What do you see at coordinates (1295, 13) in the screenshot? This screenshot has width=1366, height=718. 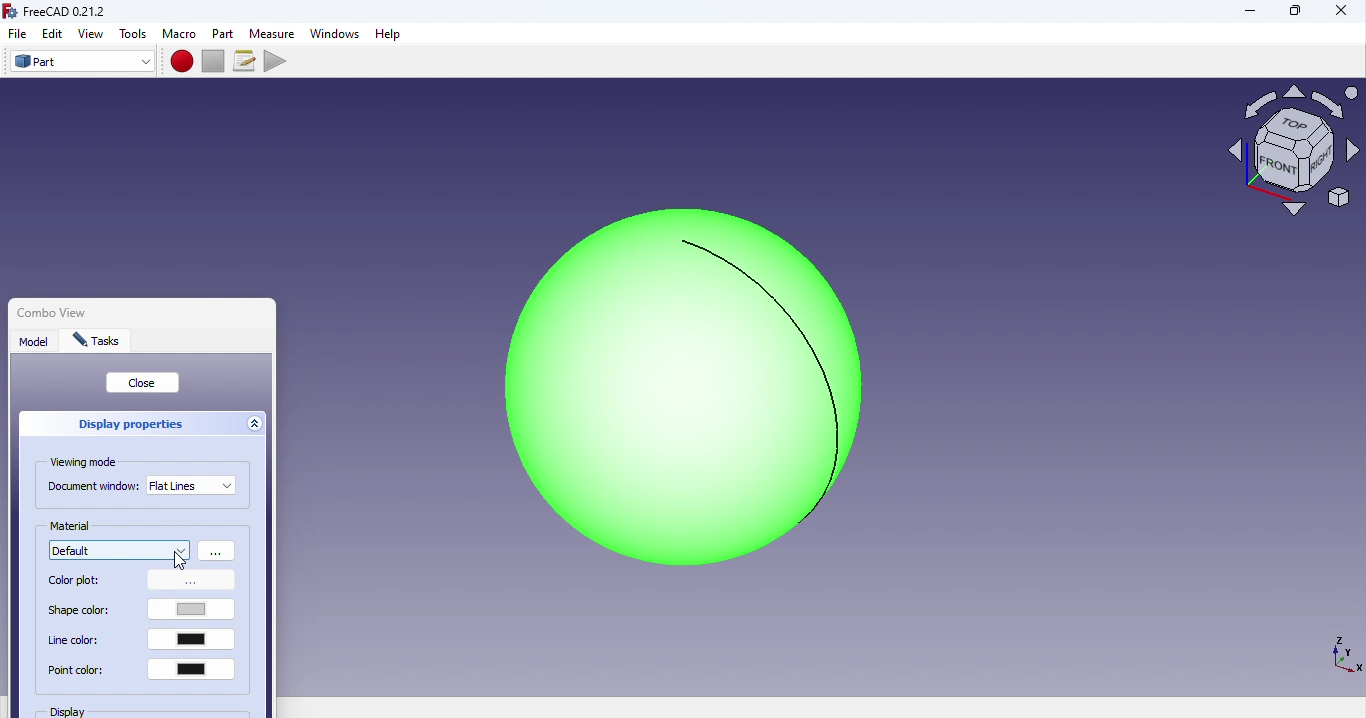 I see `Maximize` at bounding box center [1295, 13].